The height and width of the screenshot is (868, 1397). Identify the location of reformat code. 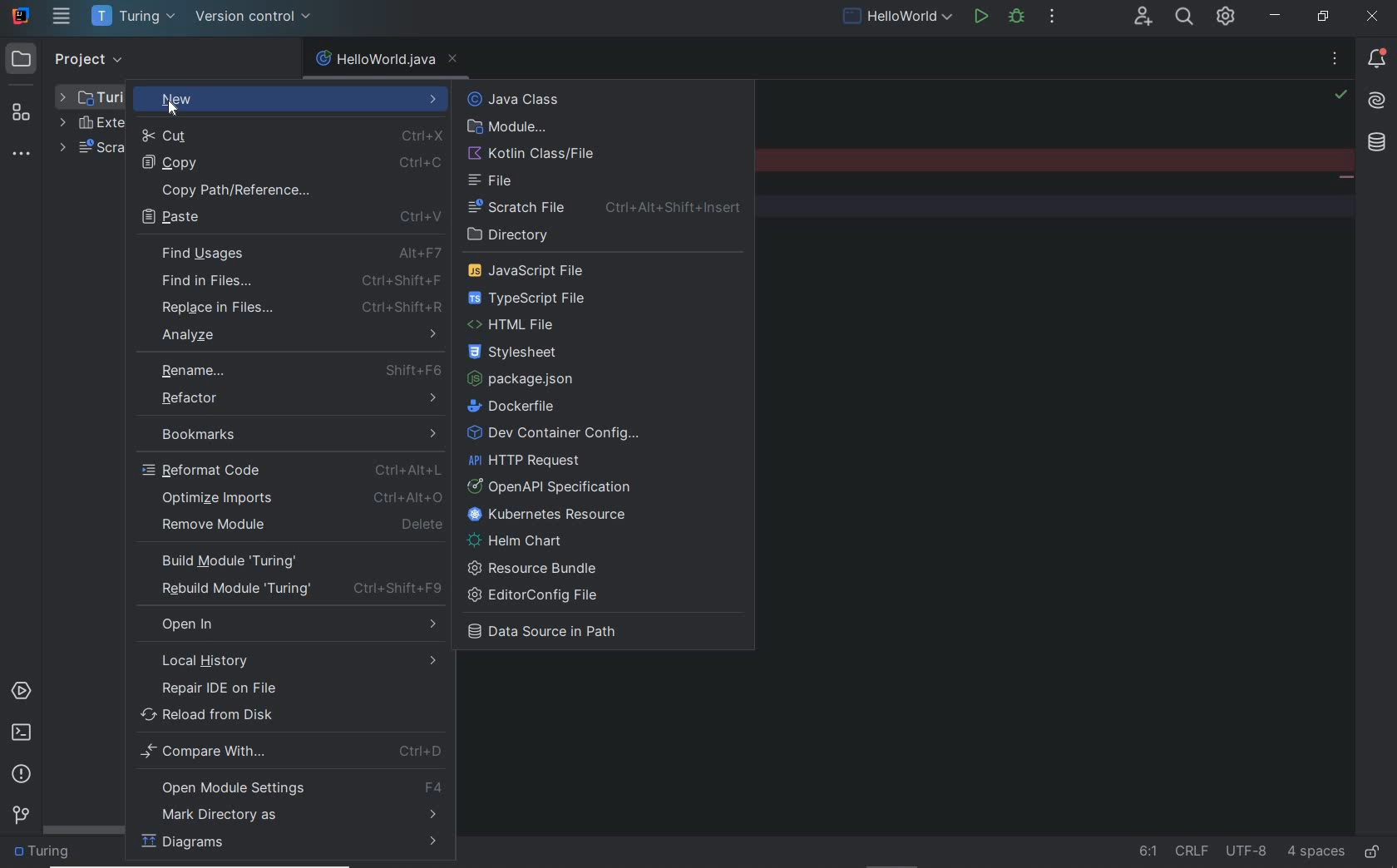
(293, 469).